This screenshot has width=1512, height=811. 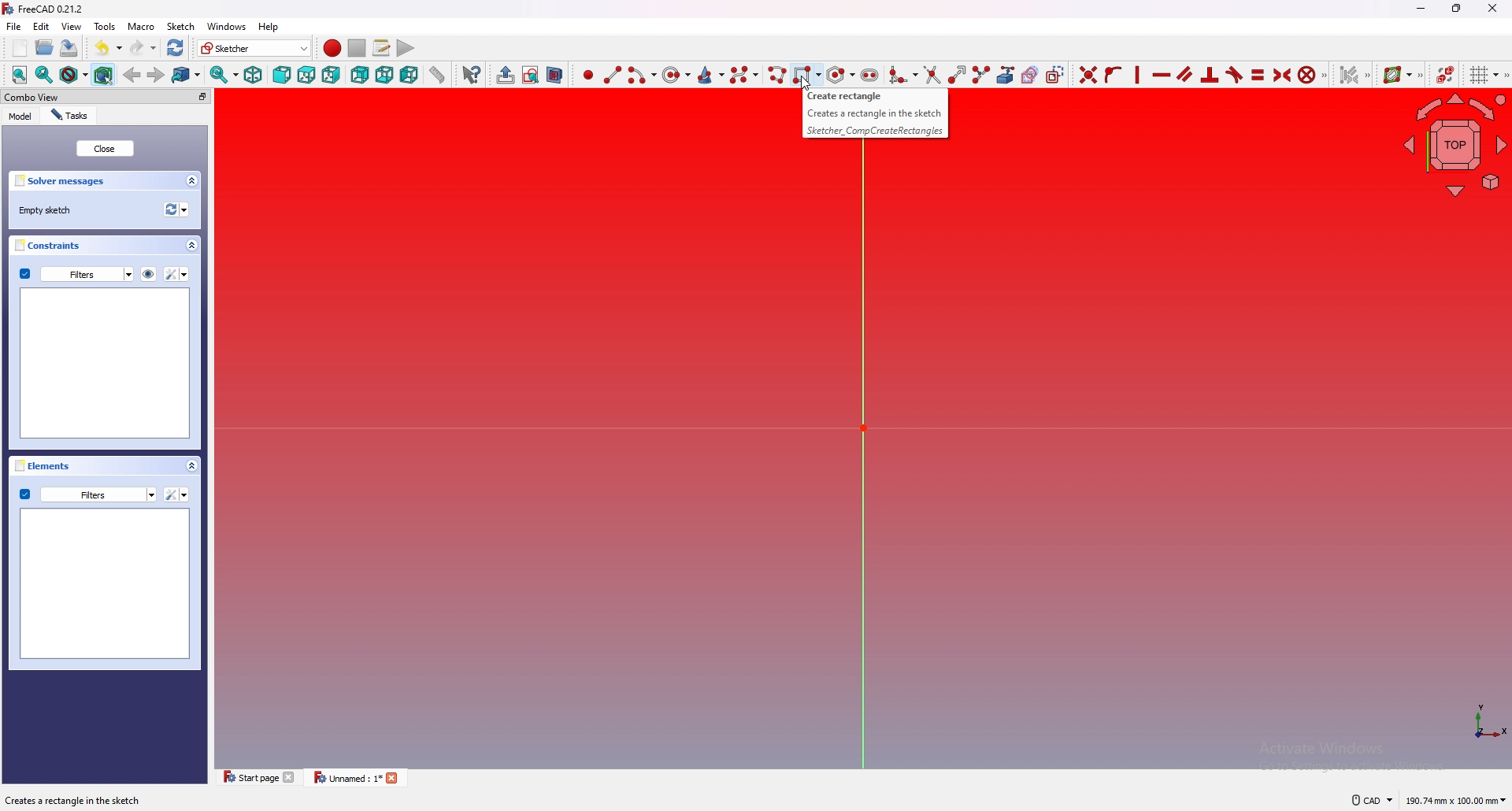 I want to click on measure distance, so click(x=438, y=75).